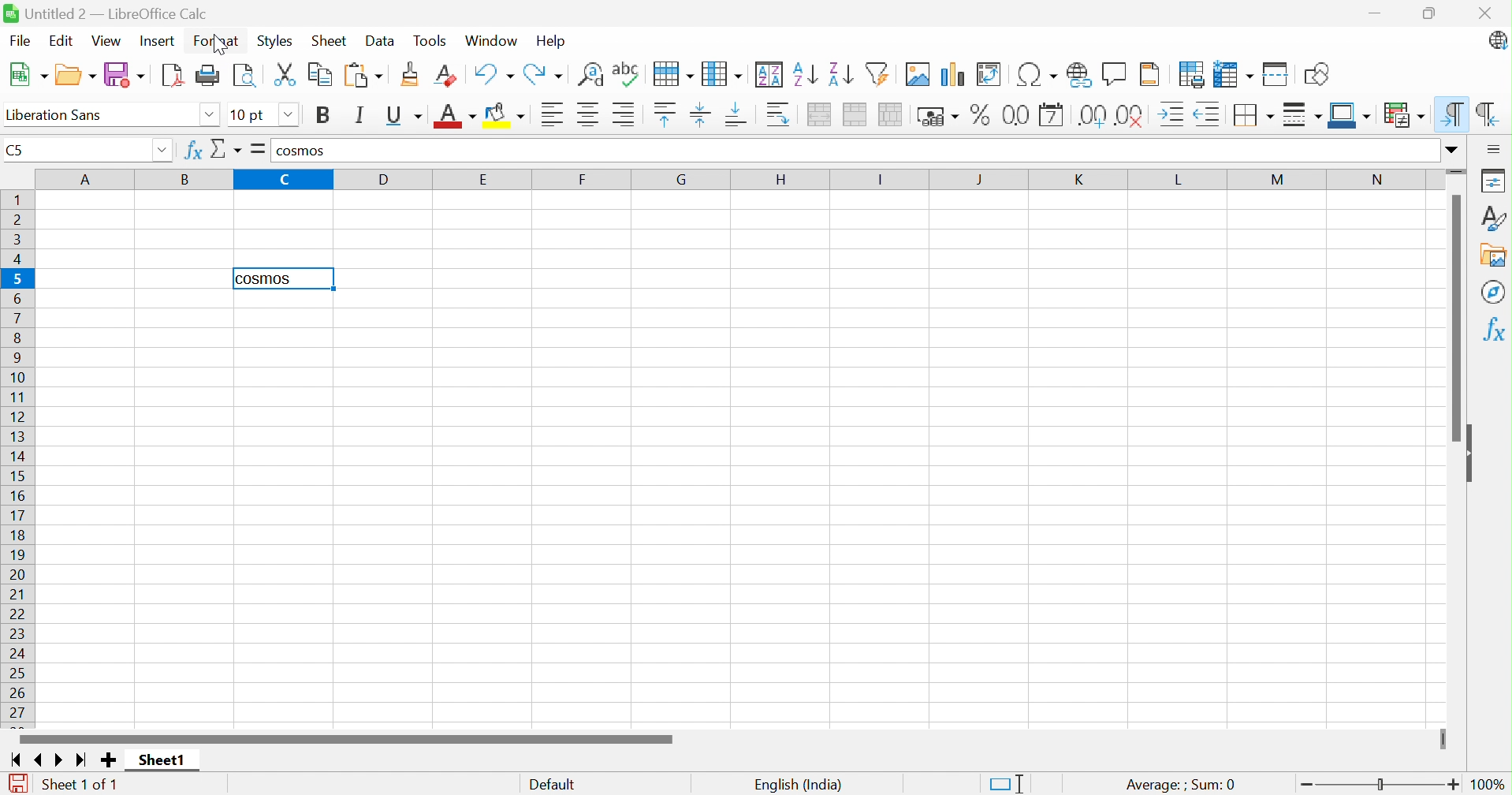 The image size is (1512, 795). Describe the element at coordinates (1443, 740) in the screenshot. I see `Slider` at that location.